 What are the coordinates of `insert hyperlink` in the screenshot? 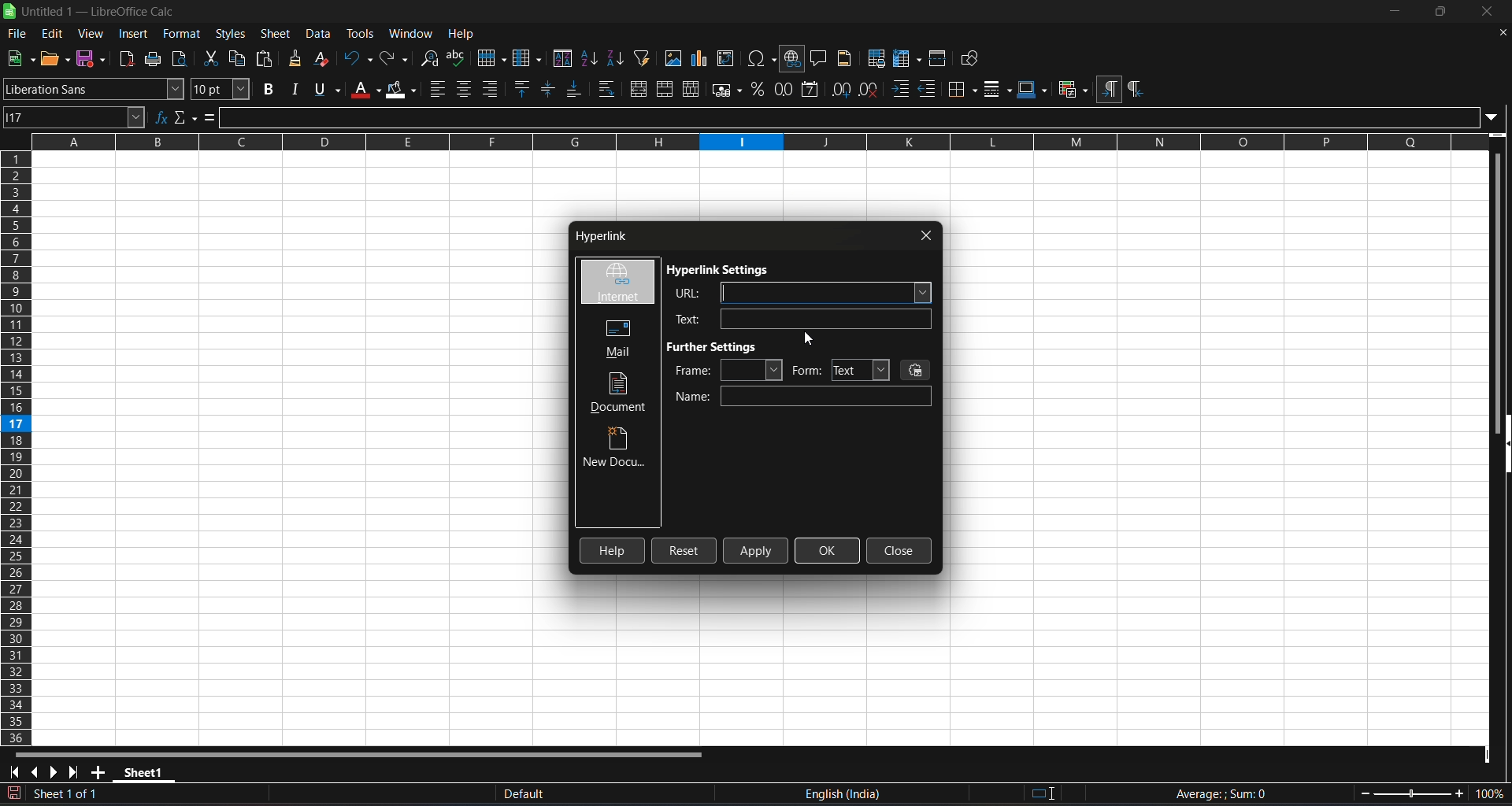 It's located at (793, 59).